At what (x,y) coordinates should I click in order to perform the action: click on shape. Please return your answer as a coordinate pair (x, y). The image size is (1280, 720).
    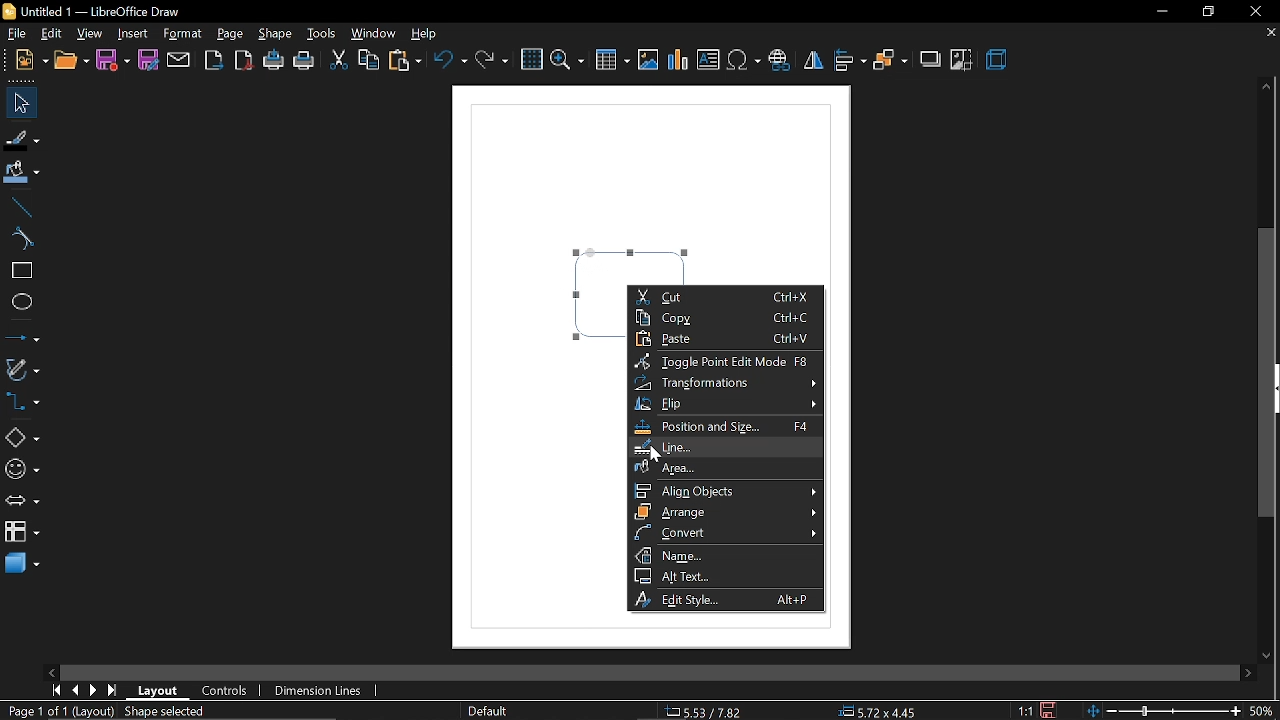
    Looking at the image, I should click on (277, 35).